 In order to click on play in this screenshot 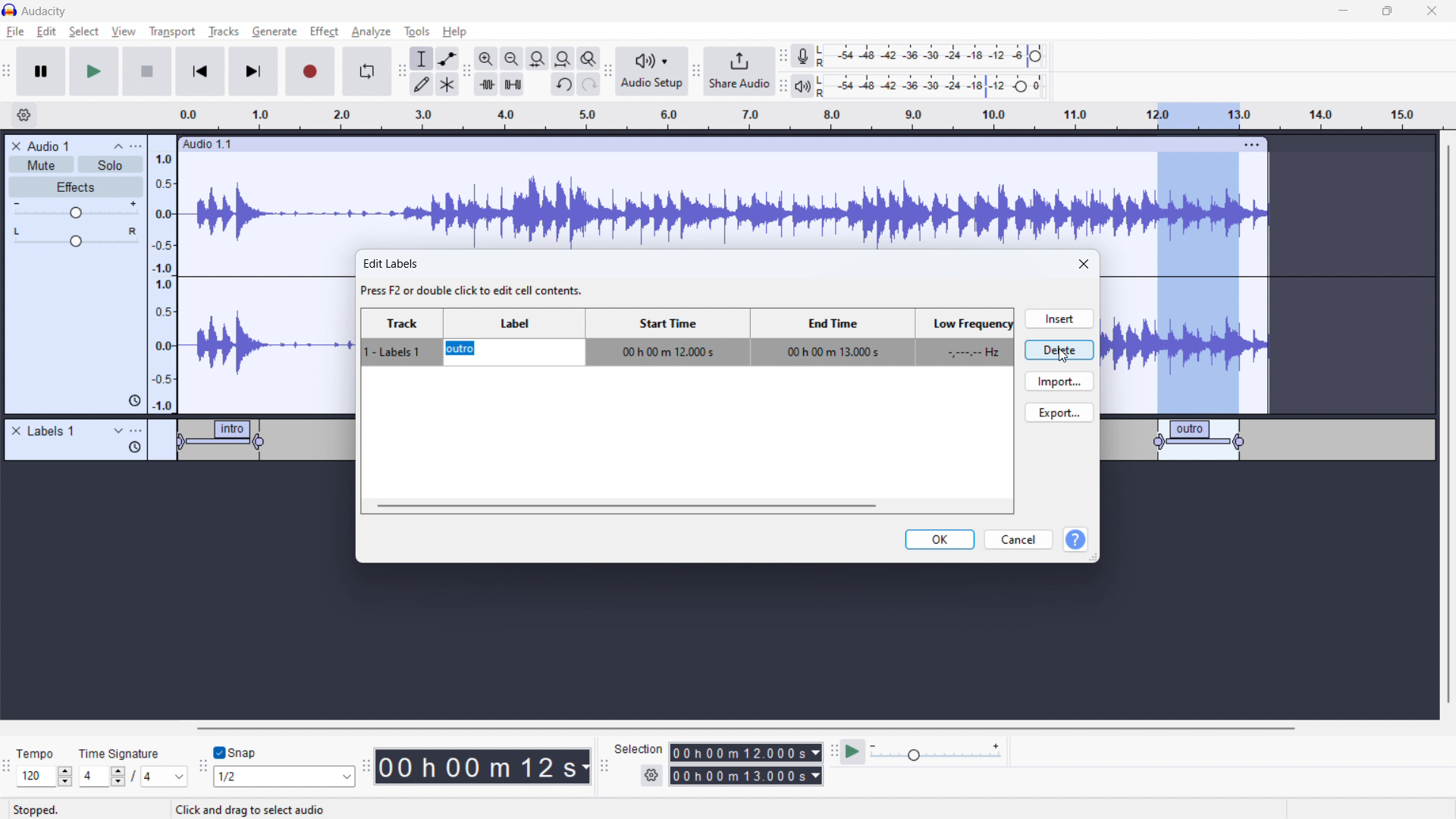, I will do `click(93, 71)`.